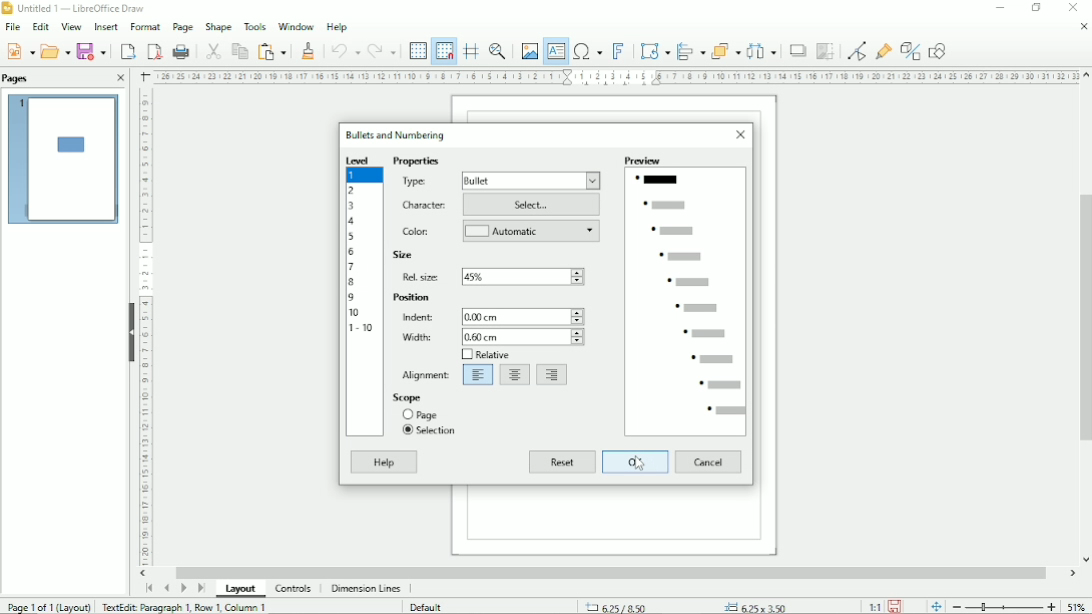 The height and width of the screenshot is (614, 1092). Describe the element at coordinates (755, 605) in the screenshot. I see `6.25x3.50` at that location.